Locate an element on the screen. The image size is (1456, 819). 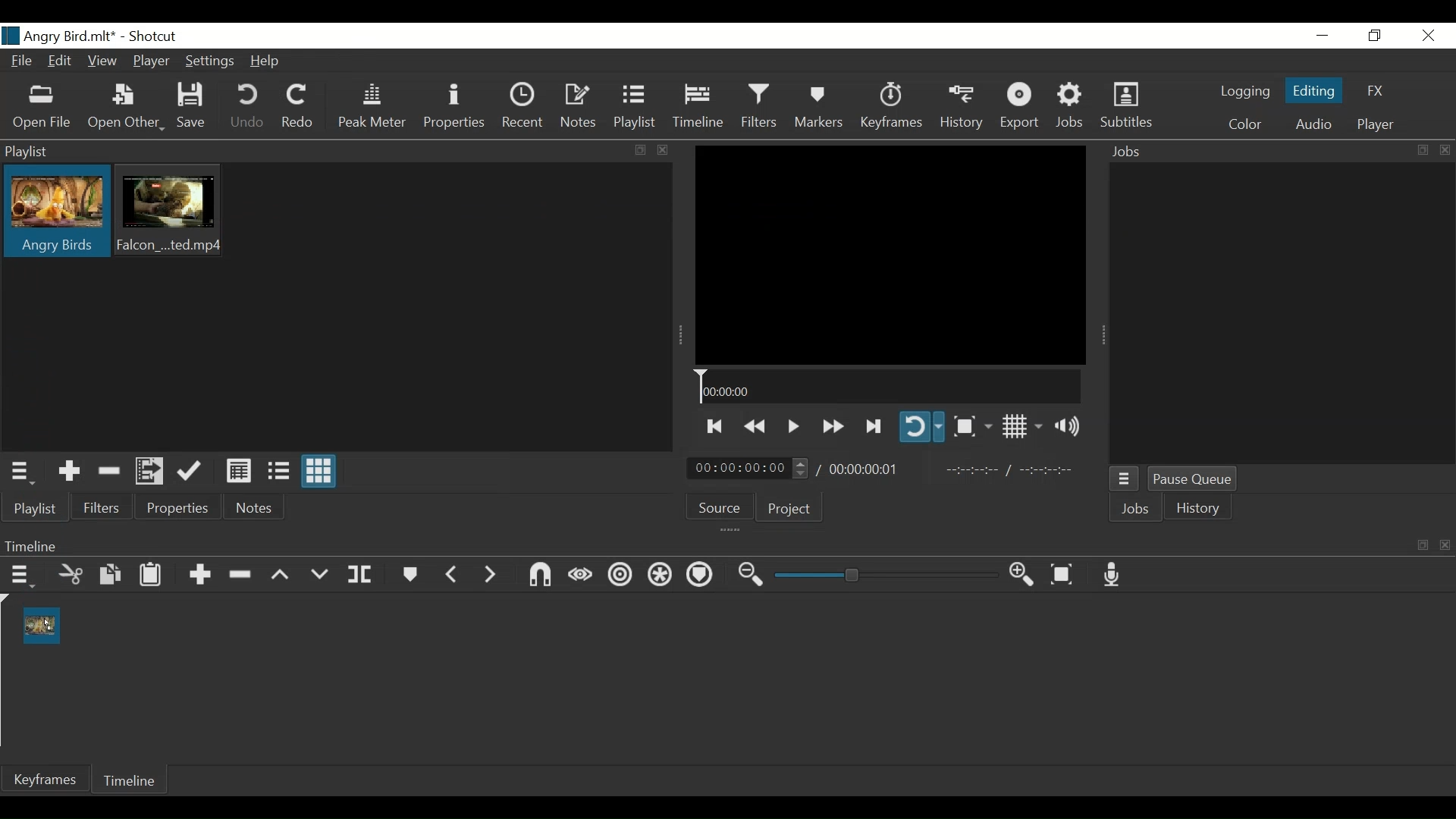
Shotcut is located at coordinates (152, 36).